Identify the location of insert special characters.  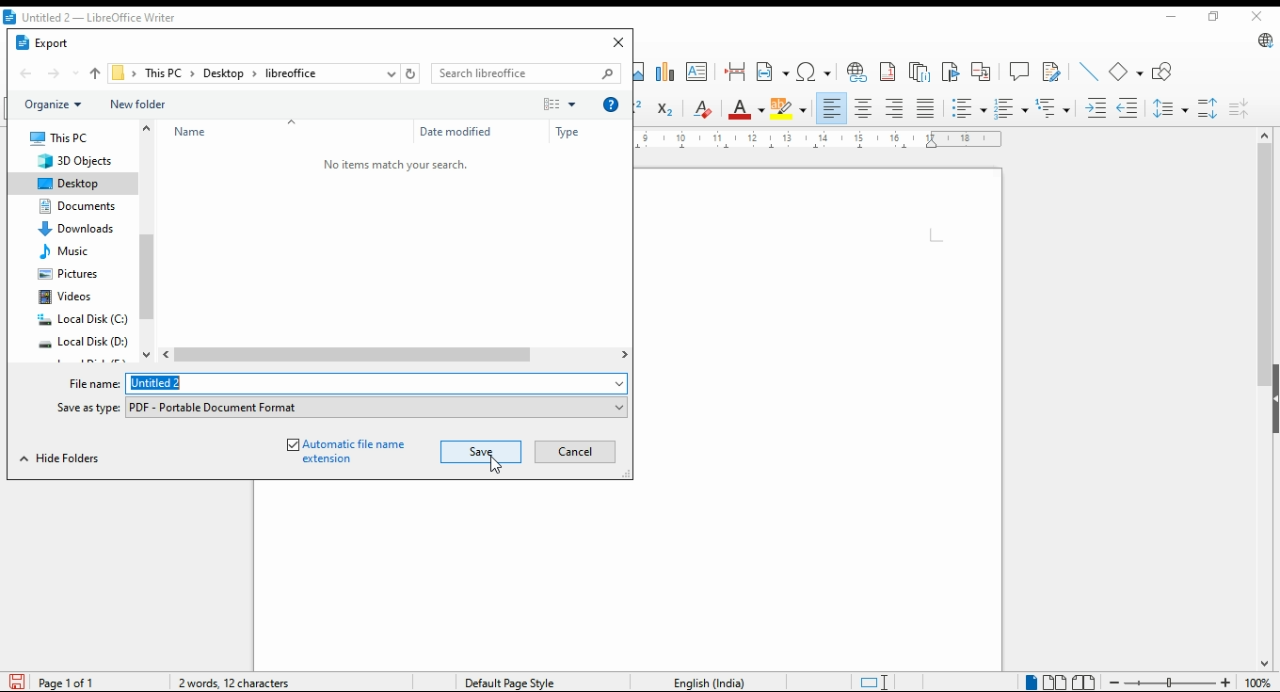
(813, 72).